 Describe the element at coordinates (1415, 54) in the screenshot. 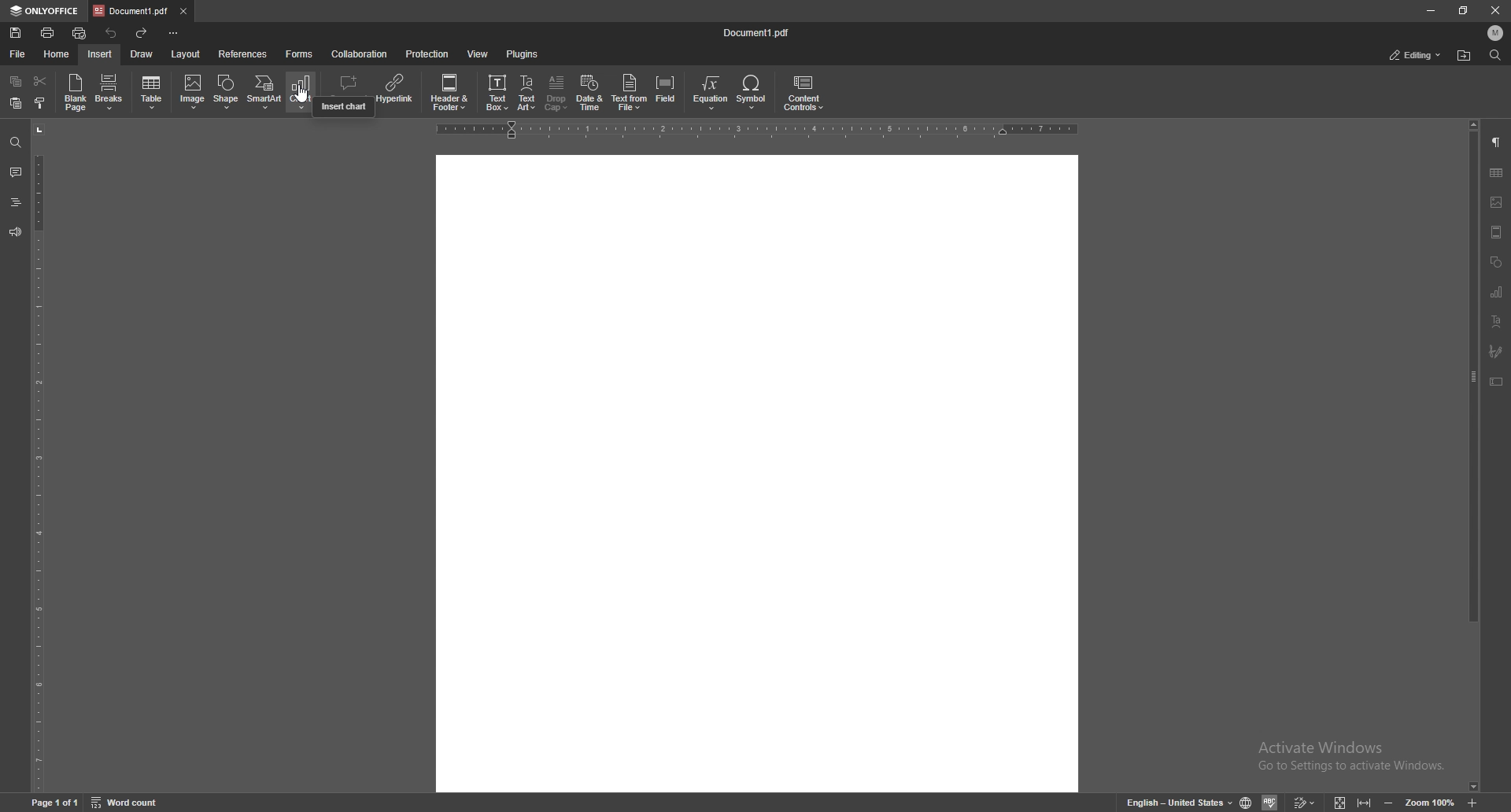

I see `status` at that location.